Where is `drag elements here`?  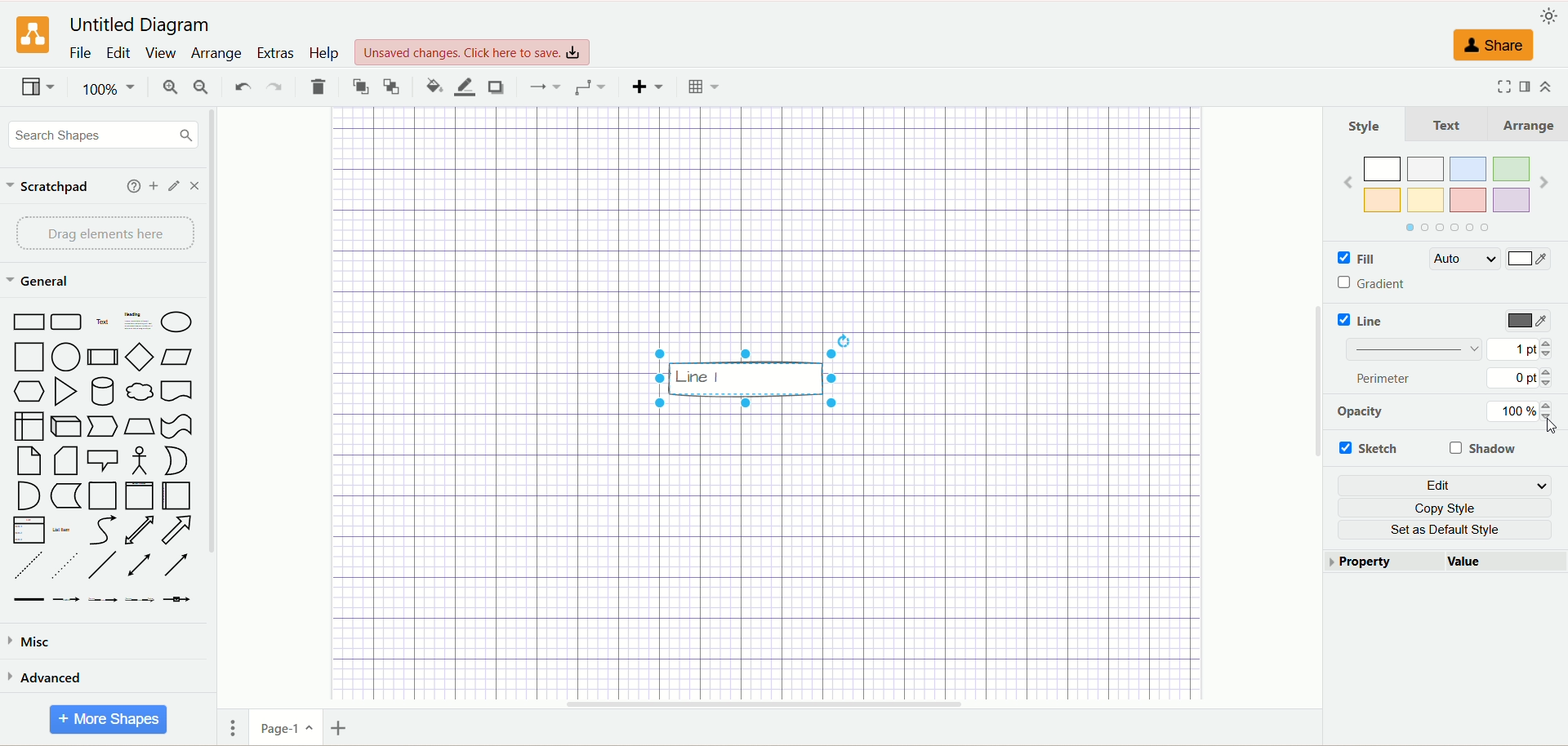 drag elements here is located at coordinates (105, 233).